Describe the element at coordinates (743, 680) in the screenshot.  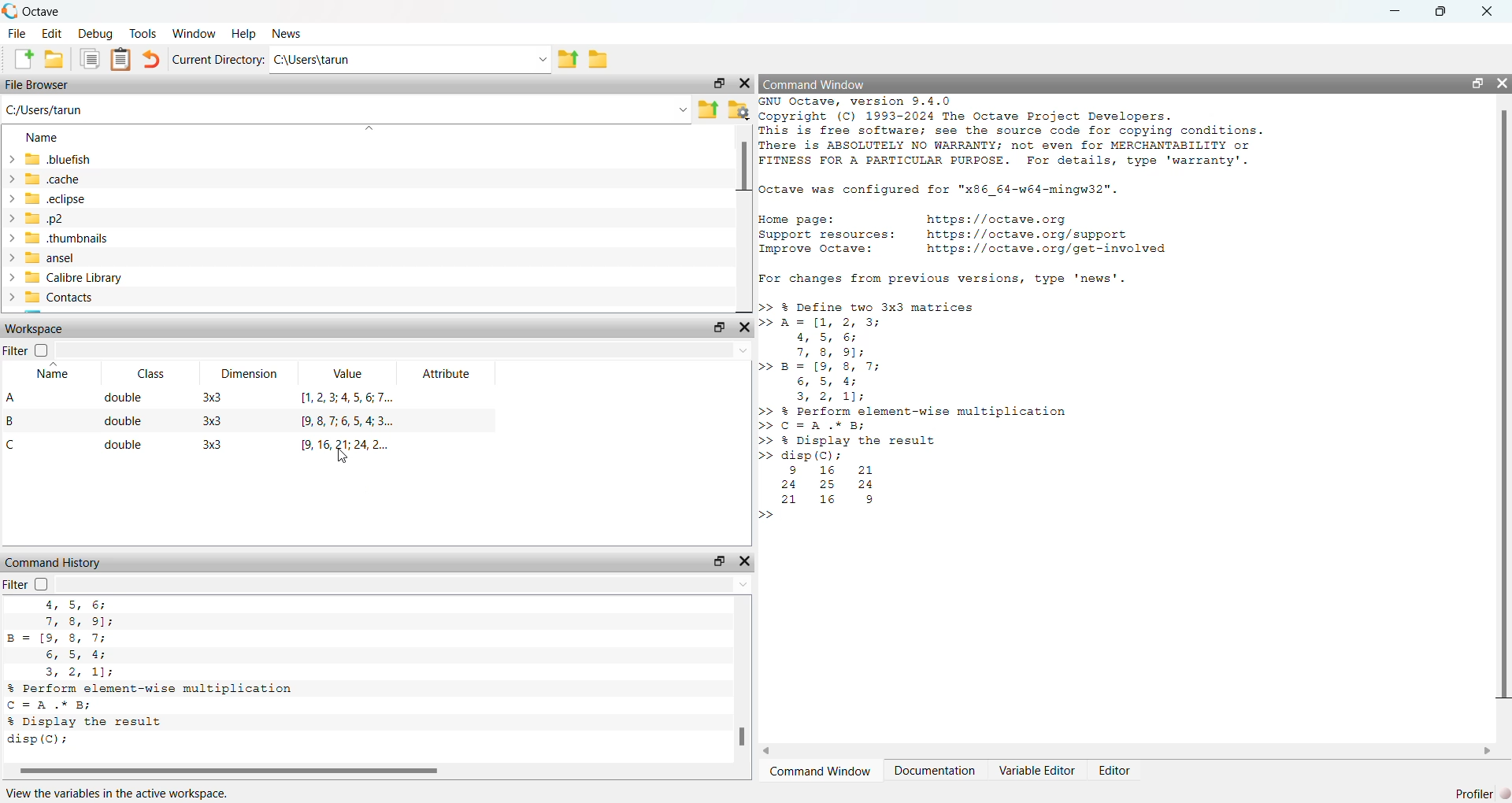
I see `Scroll` at that location.